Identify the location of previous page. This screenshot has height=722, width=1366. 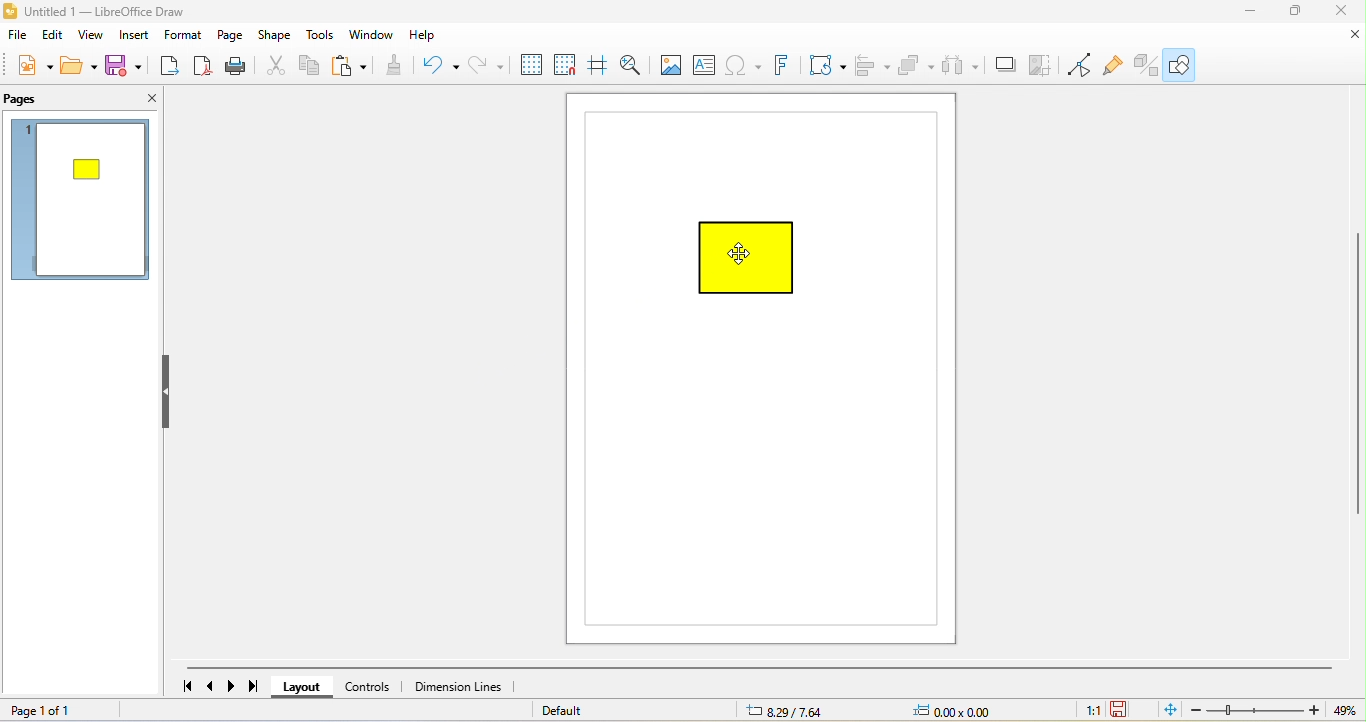
(211, 687).